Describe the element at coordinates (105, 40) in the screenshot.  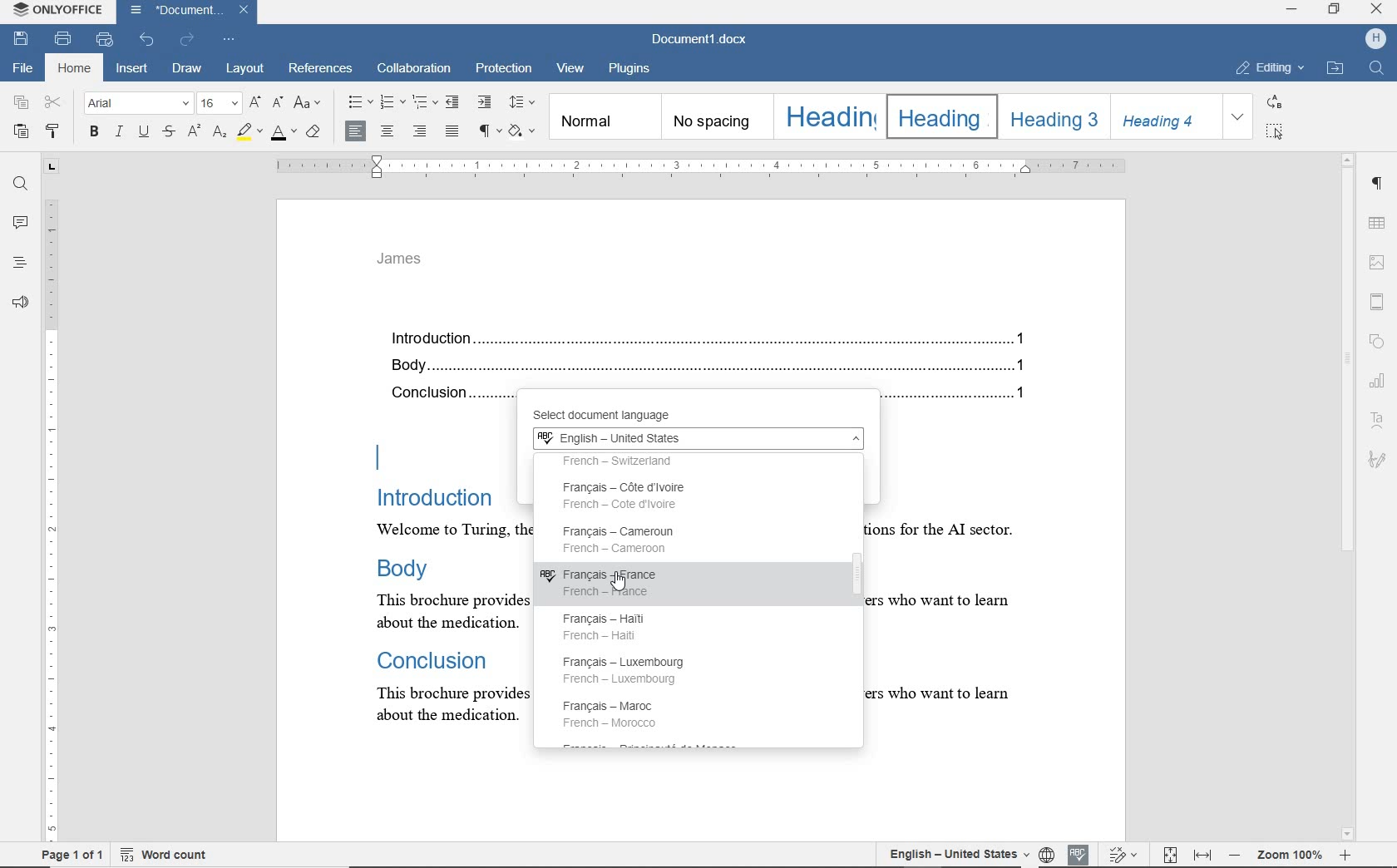
I see `quick print` at that location.